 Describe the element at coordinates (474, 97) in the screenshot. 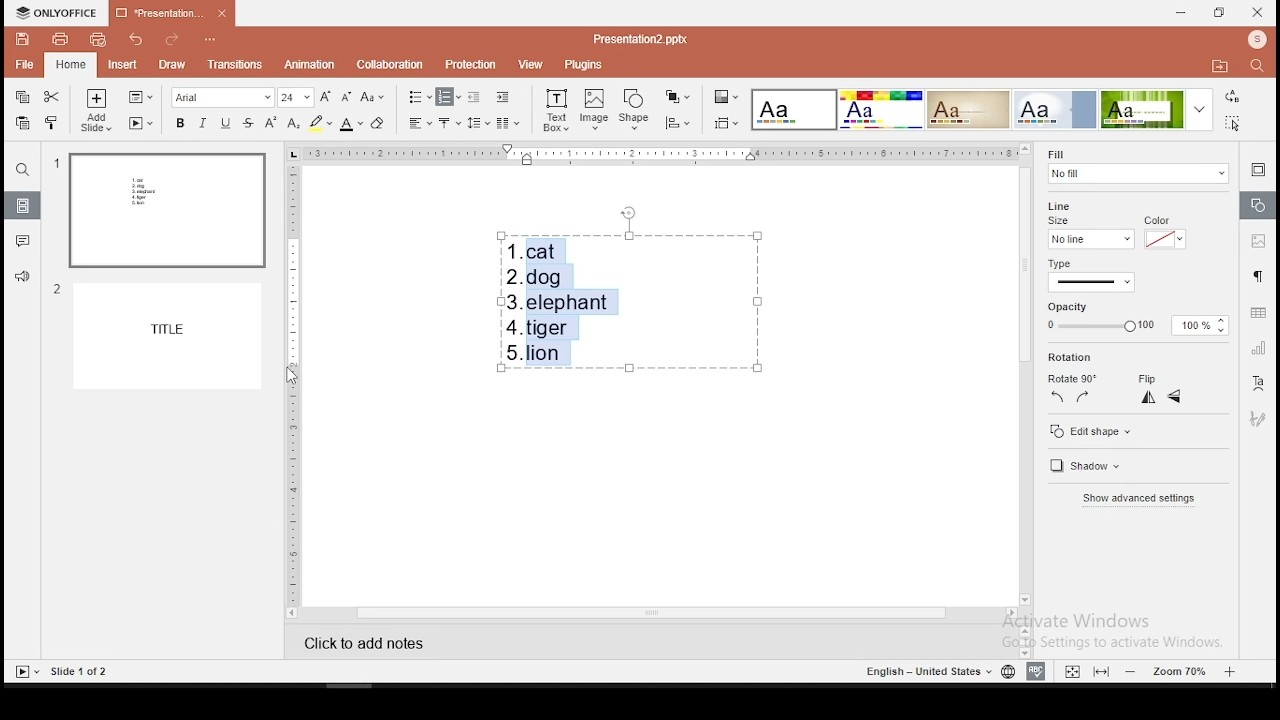

I see `decrease indent` at that location.